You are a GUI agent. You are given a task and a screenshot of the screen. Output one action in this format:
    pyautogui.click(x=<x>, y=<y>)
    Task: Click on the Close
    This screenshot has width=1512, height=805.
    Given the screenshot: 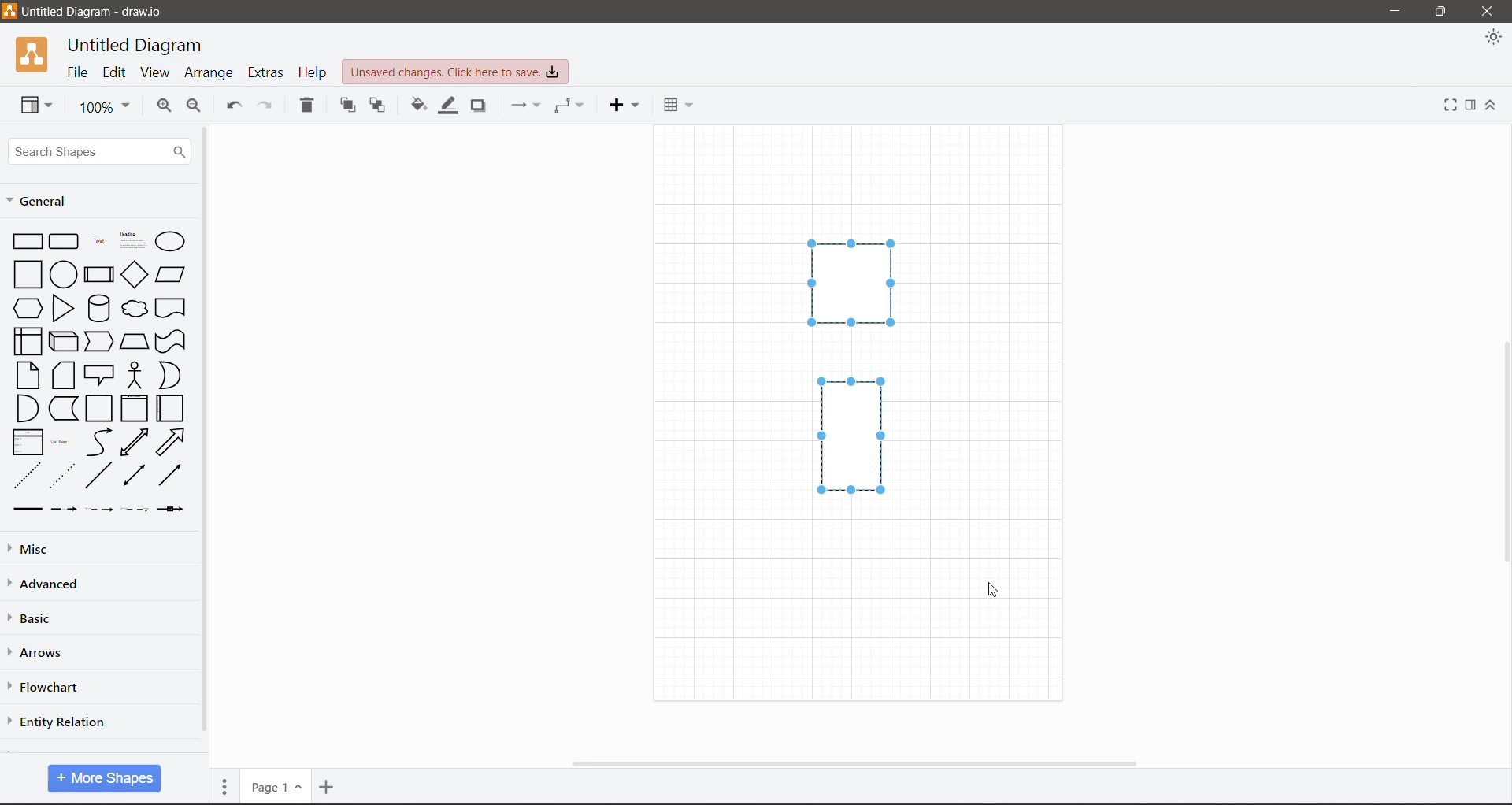 What is the action you would take?
    pyautogui.click(x=1490, y=12)
    